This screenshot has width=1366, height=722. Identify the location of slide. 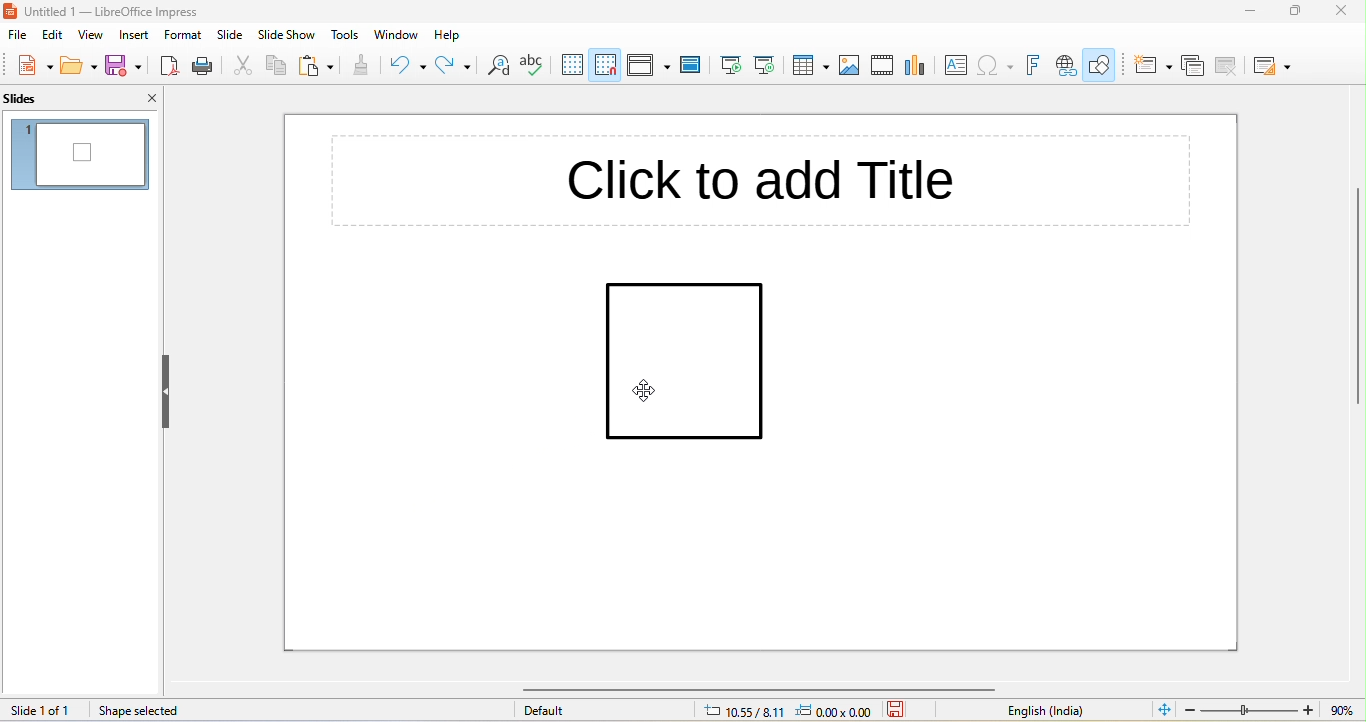
(230, 35).